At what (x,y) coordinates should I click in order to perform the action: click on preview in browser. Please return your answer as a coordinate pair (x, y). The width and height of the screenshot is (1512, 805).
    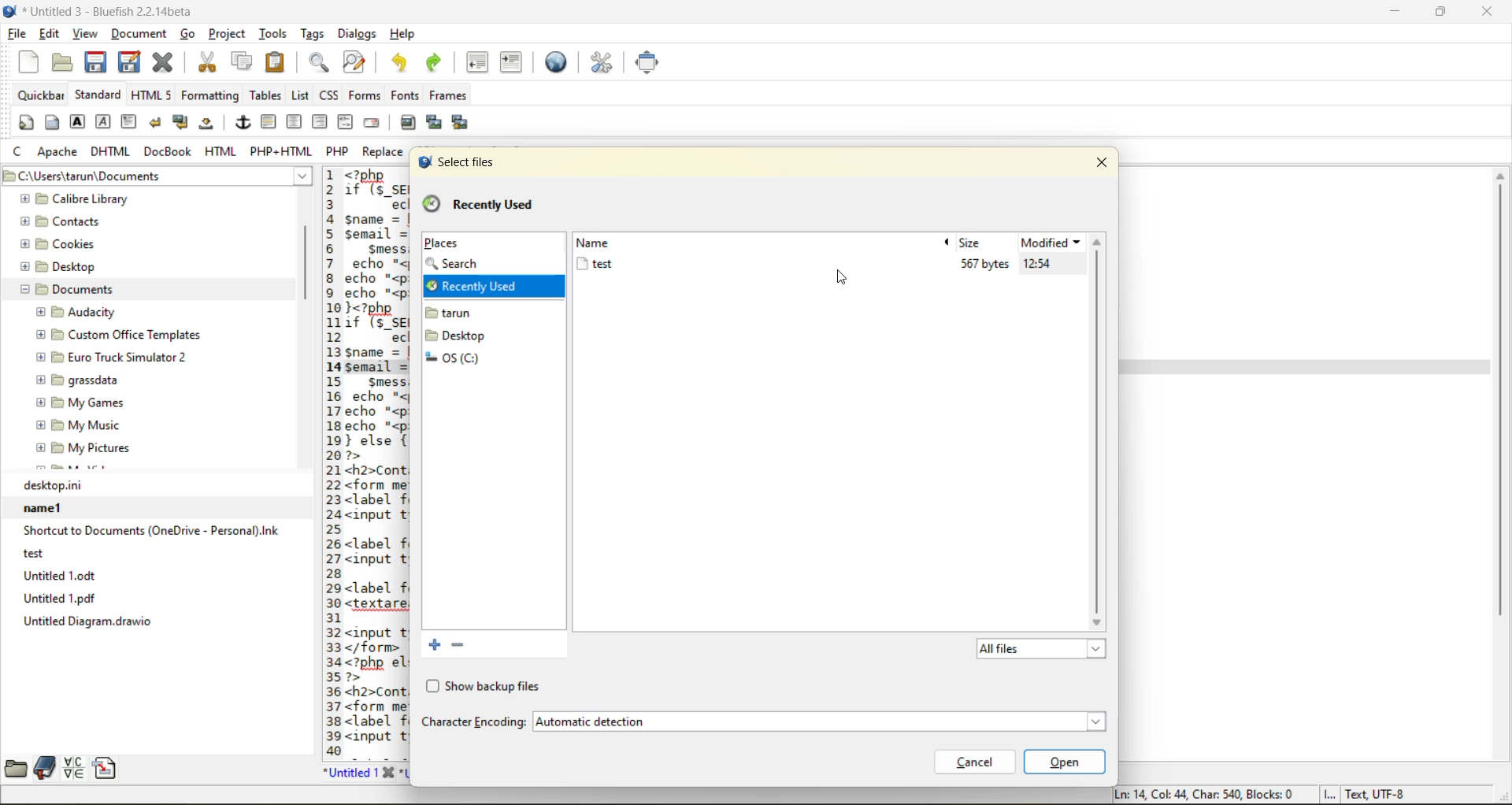
    Looking at the image, I should click on (560, 61).